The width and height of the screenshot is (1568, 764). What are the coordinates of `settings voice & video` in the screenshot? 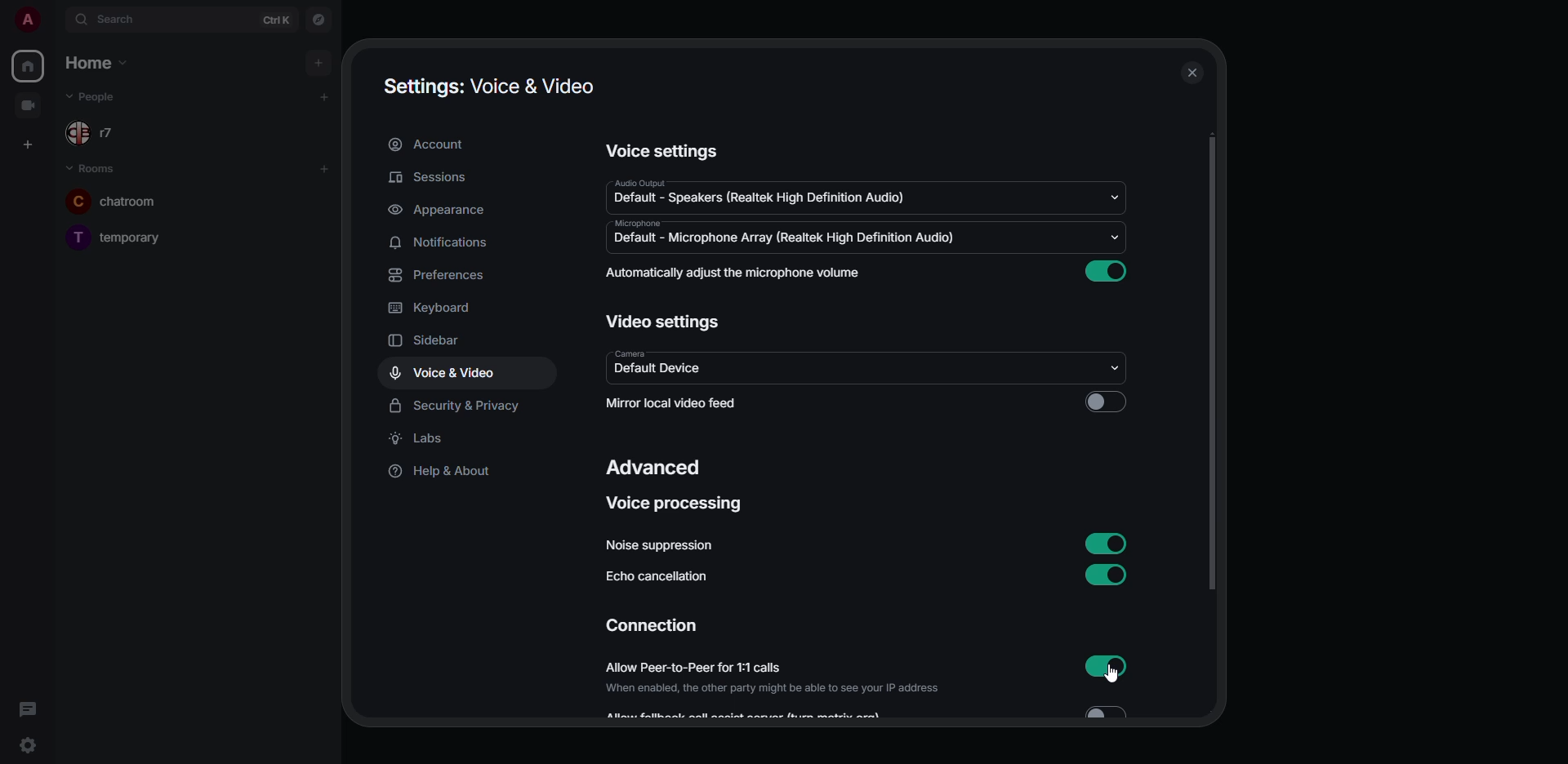 It's located at (492, 85).